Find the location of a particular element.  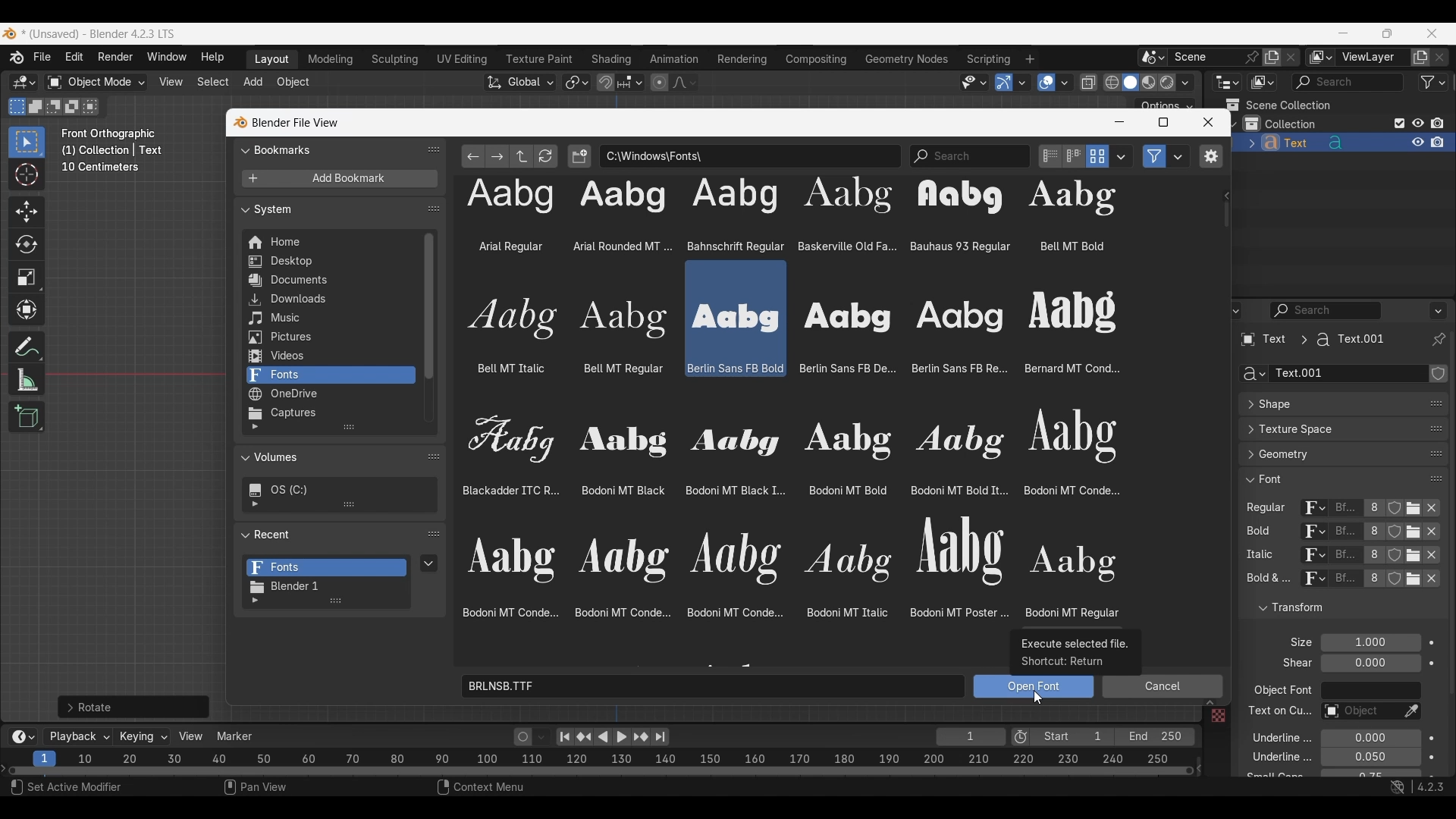

 is located at coordinates (1216, 717).